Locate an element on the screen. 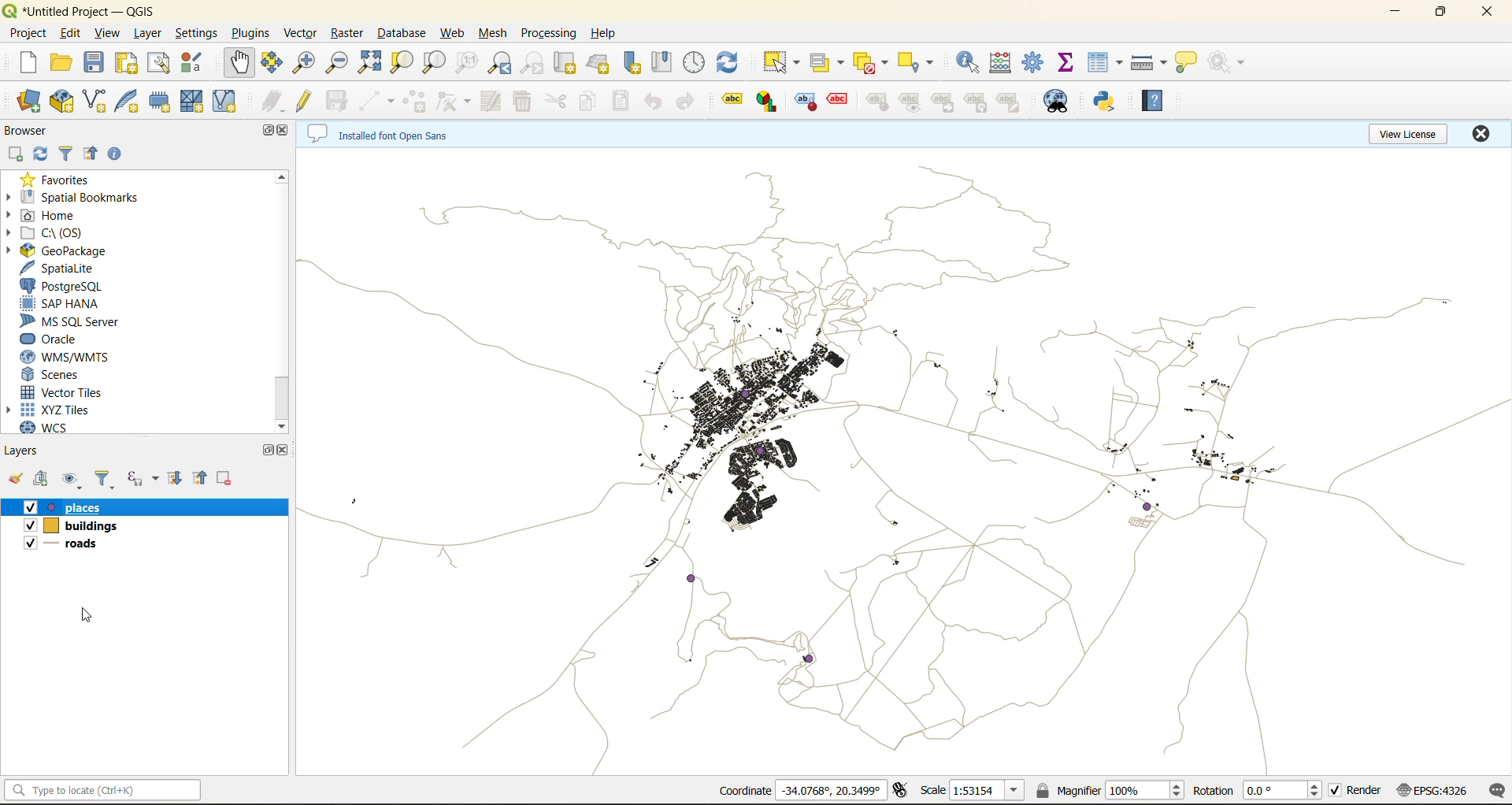  metadata is located at coordinates (382, 135).